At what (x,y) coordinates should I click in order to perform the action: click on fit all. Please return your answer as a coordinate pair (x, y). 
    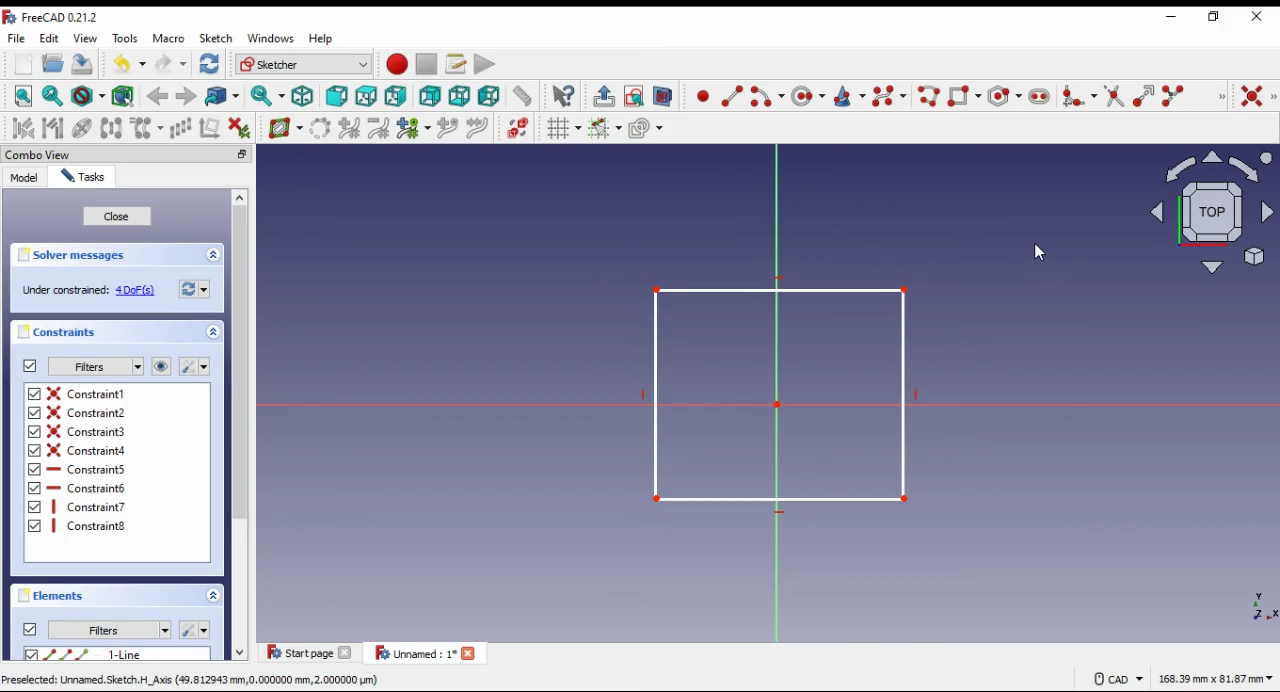
    Looking at the image, I should click on (24, 96).